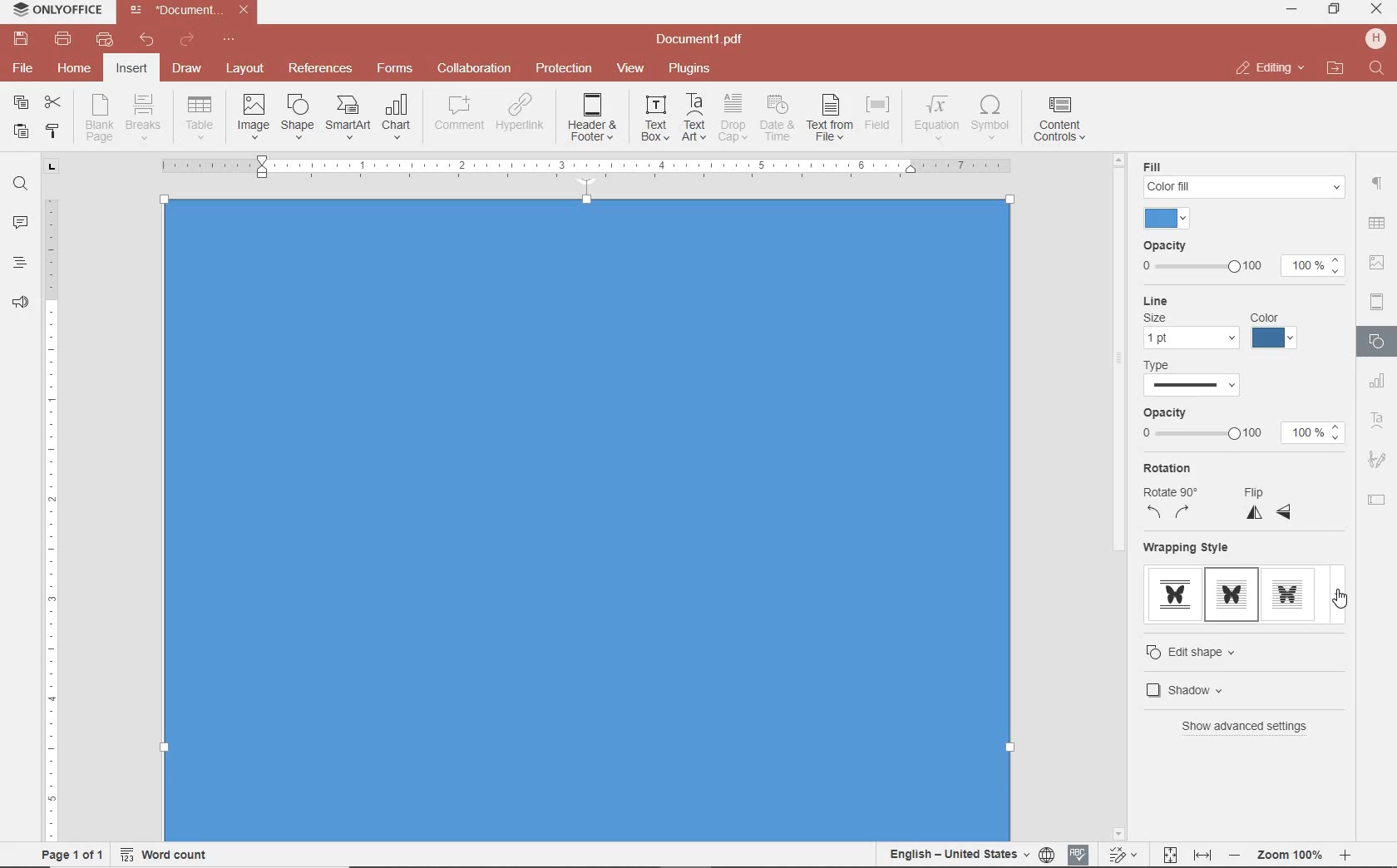 This screenshot has height=868, width=1397. What do you see at coordinates (19, 131) in the screenshot?
I see `paste` at bounding box center [19, 131].